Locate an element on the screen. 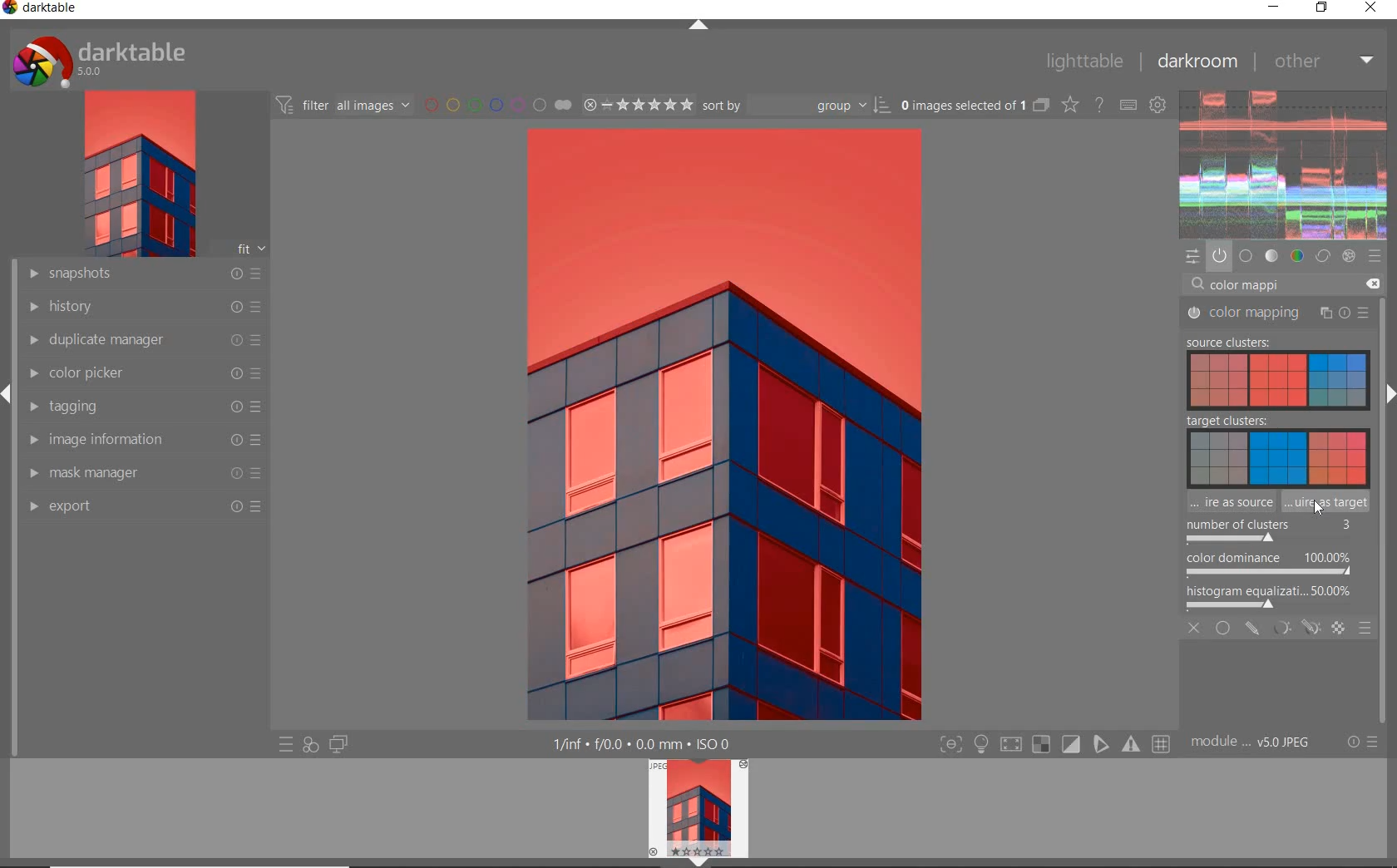 Image resolution: width=1397 pixels, height=868 pixels. CLOSE is located at coordinates (1196, 630).